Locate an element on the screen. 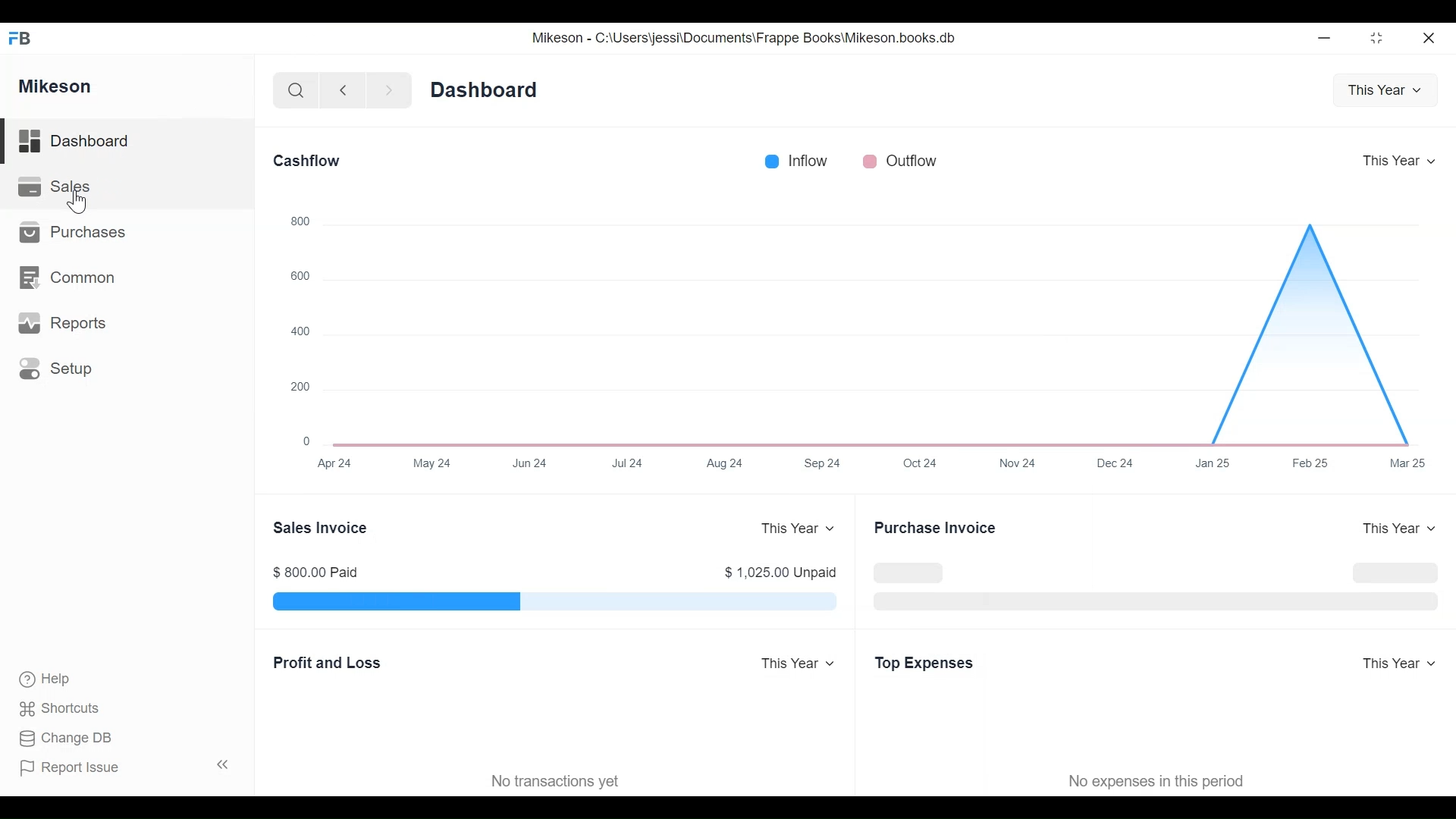  No expenses in this period is located at coordinates (1157, 781).